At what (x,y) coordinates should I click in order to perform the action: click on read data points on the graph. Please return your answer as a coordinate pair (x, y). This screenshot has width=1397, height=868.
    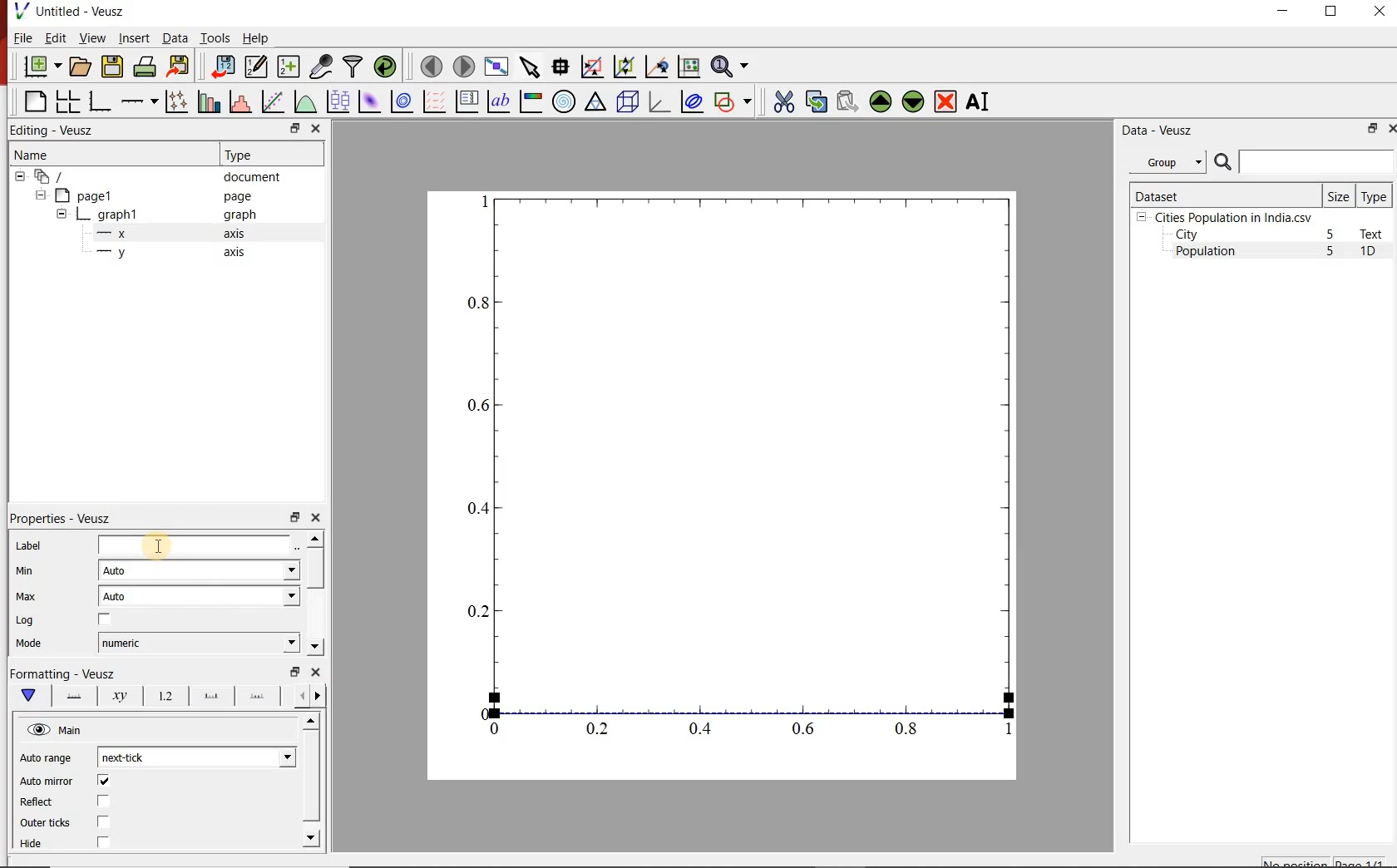
    Looking at the image, I should click on (560, 65).